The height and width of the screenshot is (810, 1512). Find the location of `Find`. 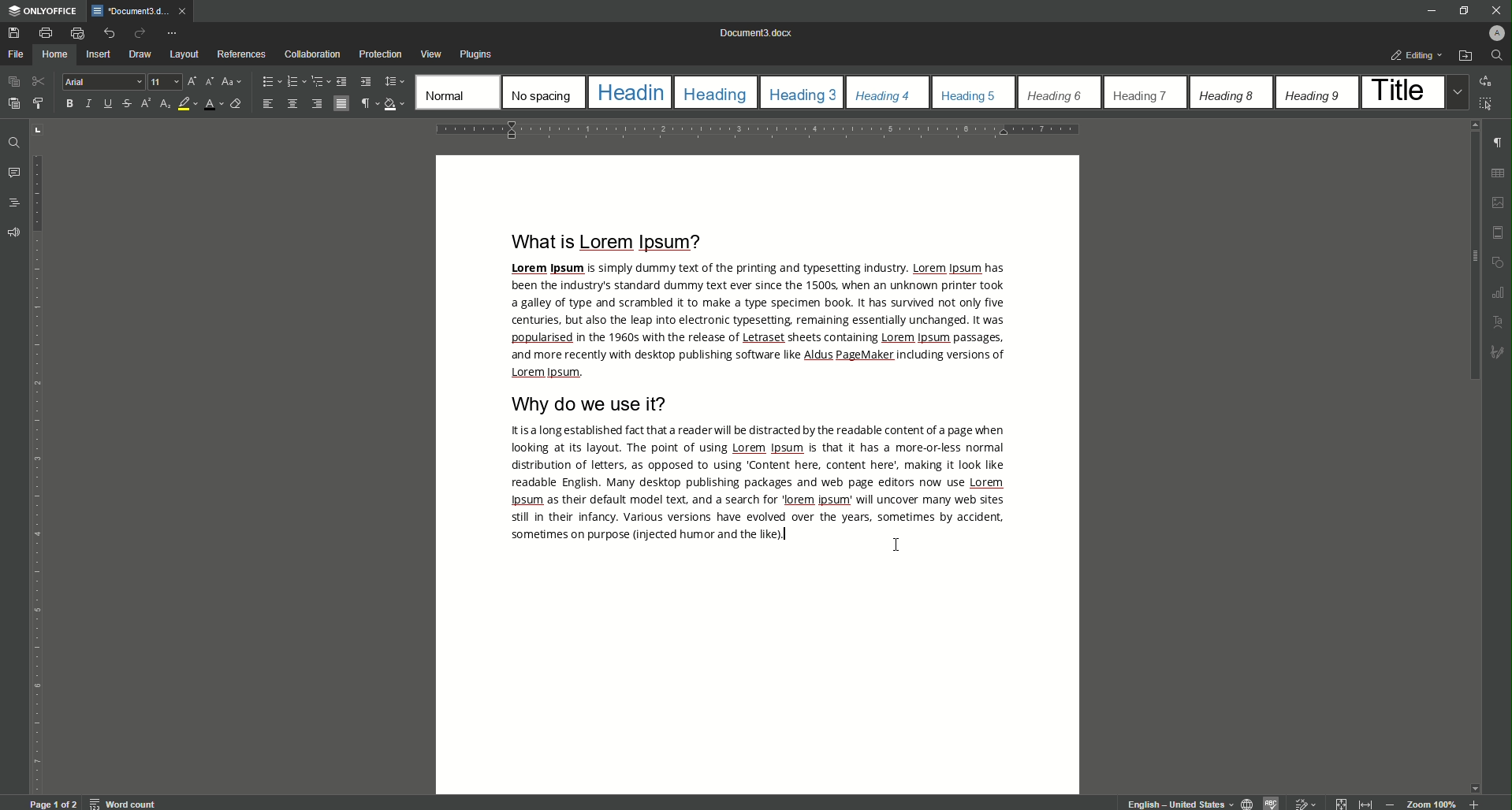

Find is located at coordinates (10, 141).